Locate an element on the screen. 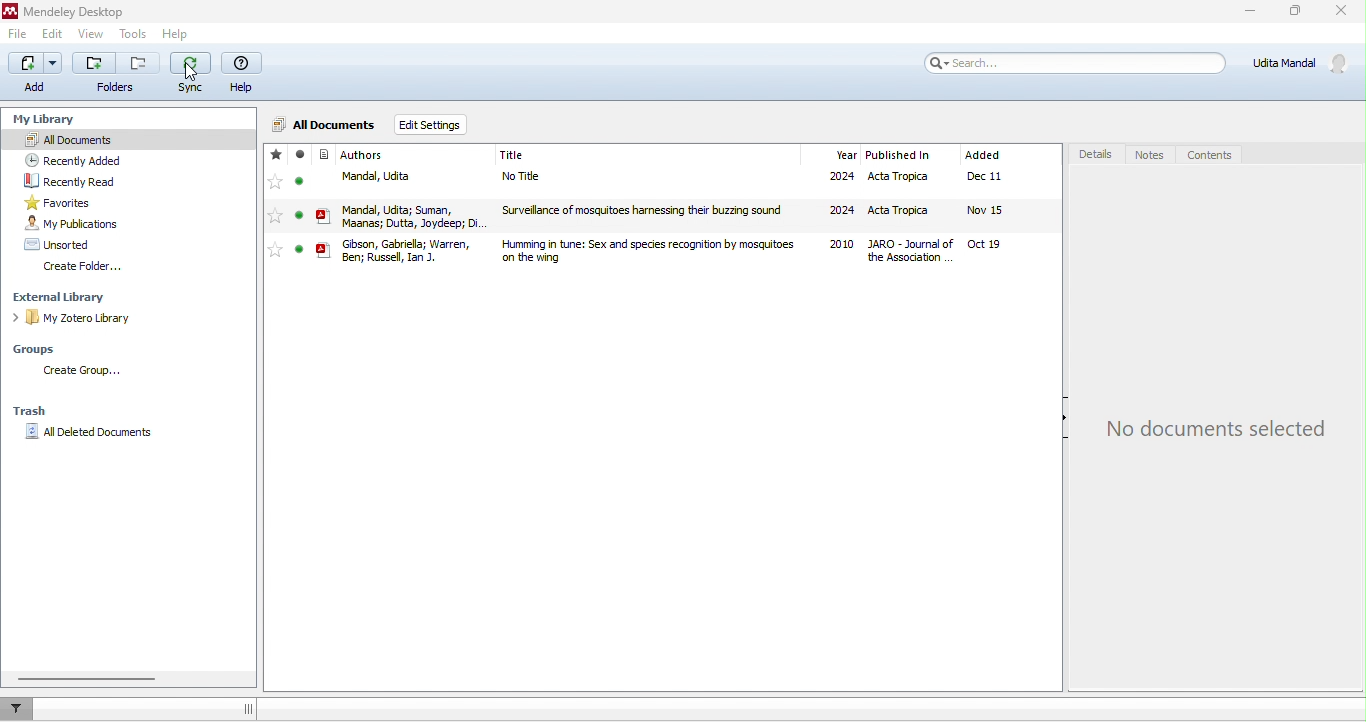  added is located at coordinates (983, 154).